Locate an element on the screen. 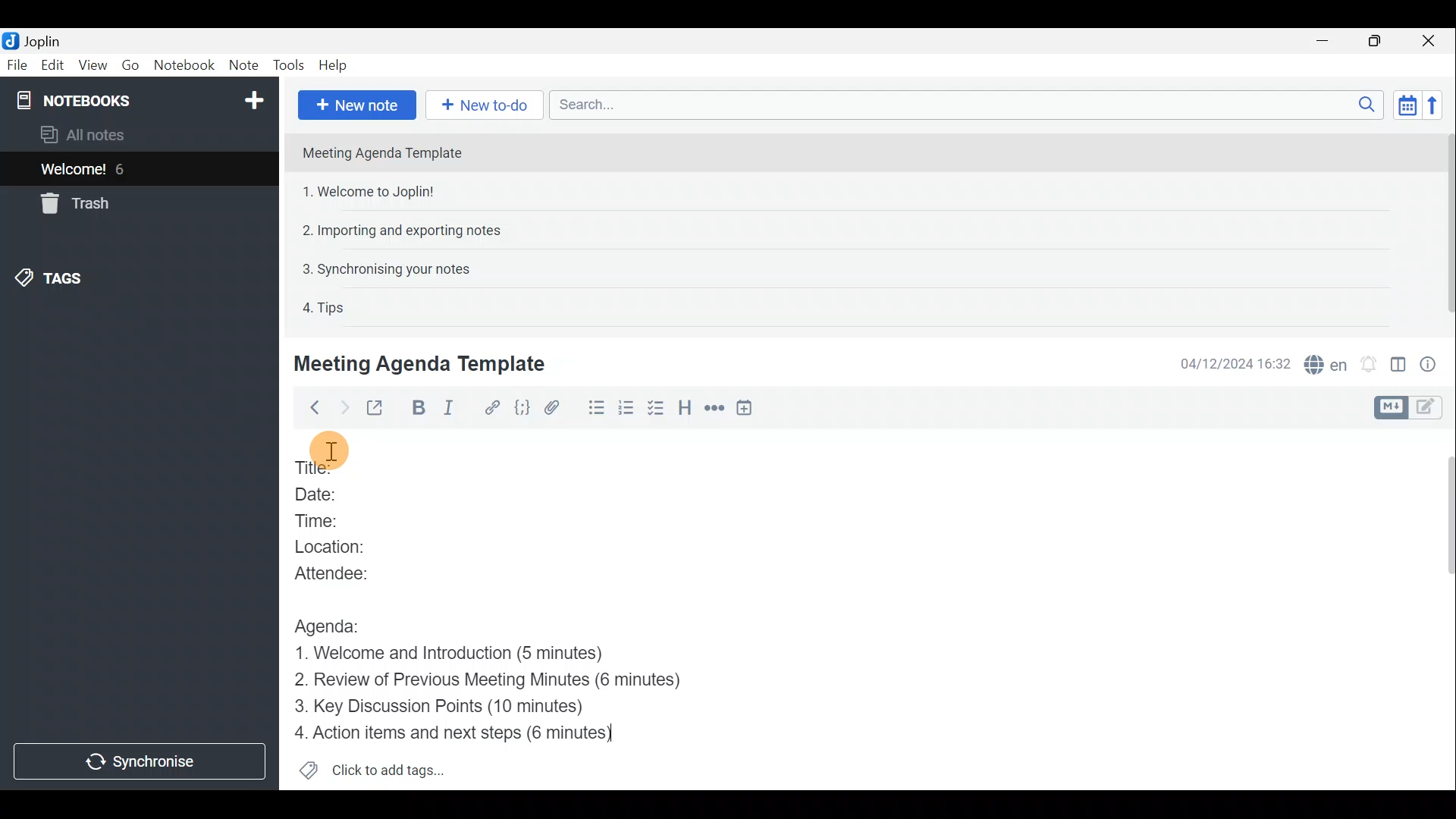 The height and width of the screenshot is (819, 1456). Attendee: is located at coordinates (353, 573).